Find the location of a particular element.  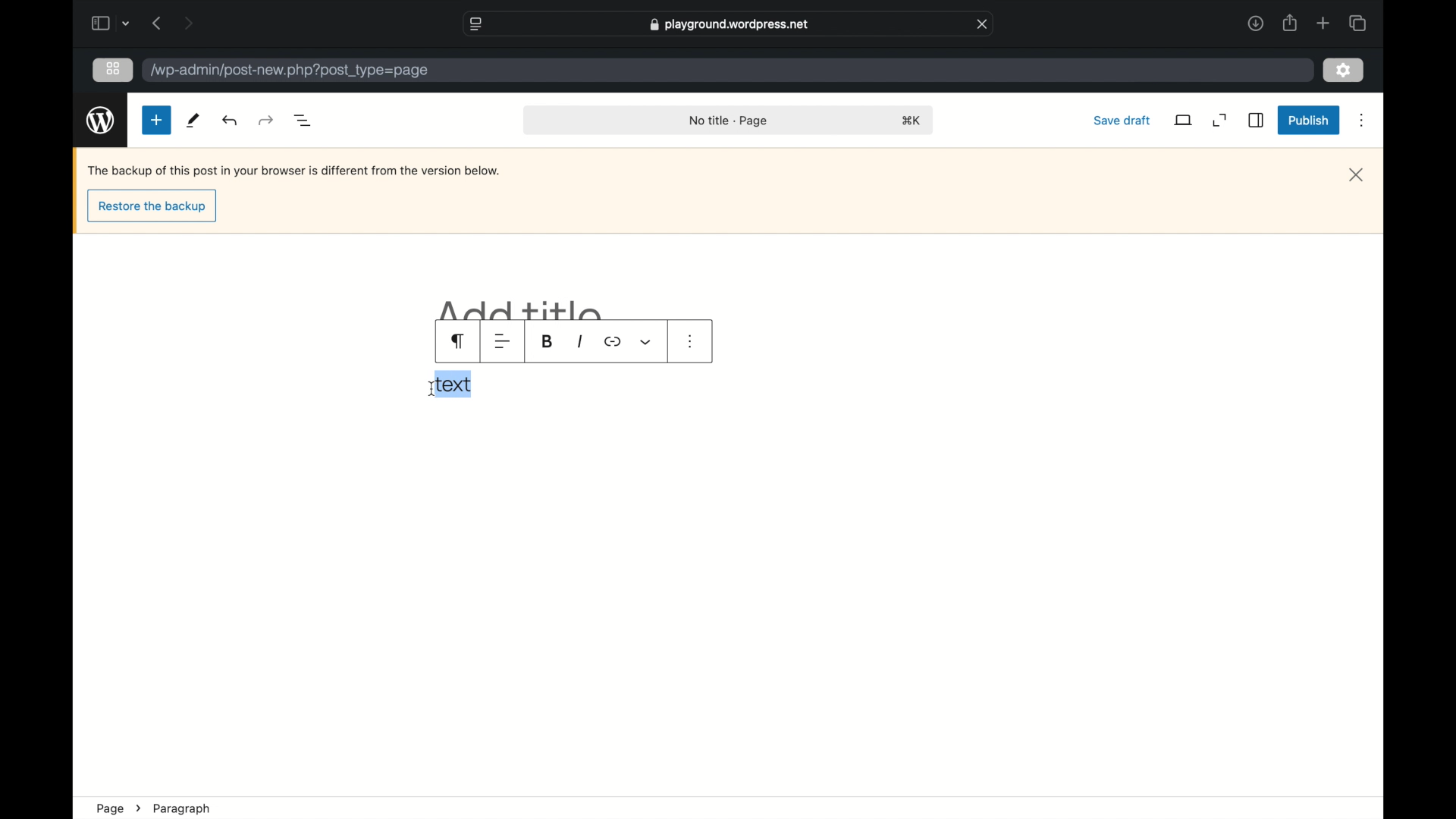

next icon is located at coordinates (138, 808).